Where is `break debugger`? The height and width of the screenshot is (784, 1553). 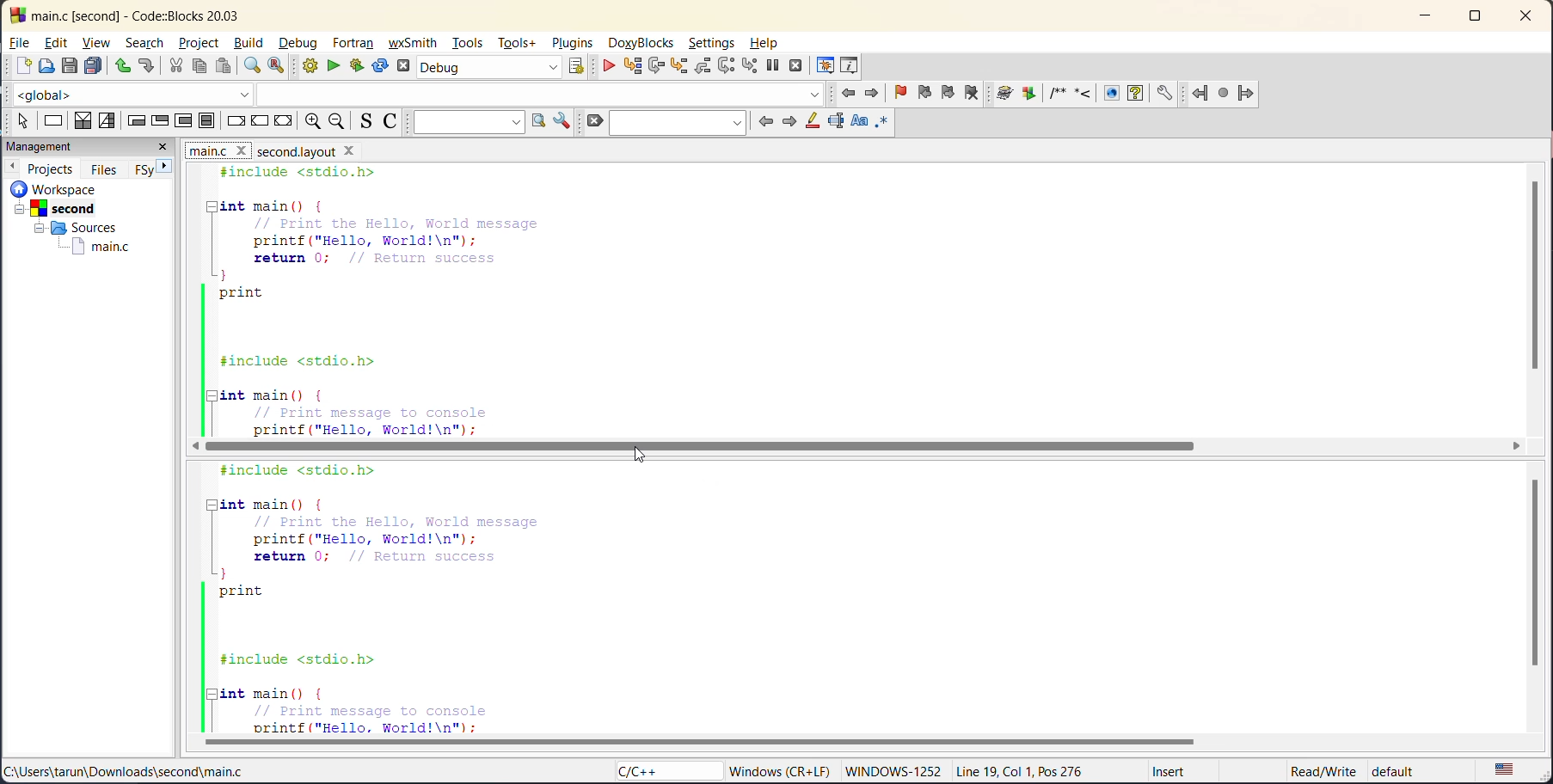 break debugger is located at coordinates (771, 63).